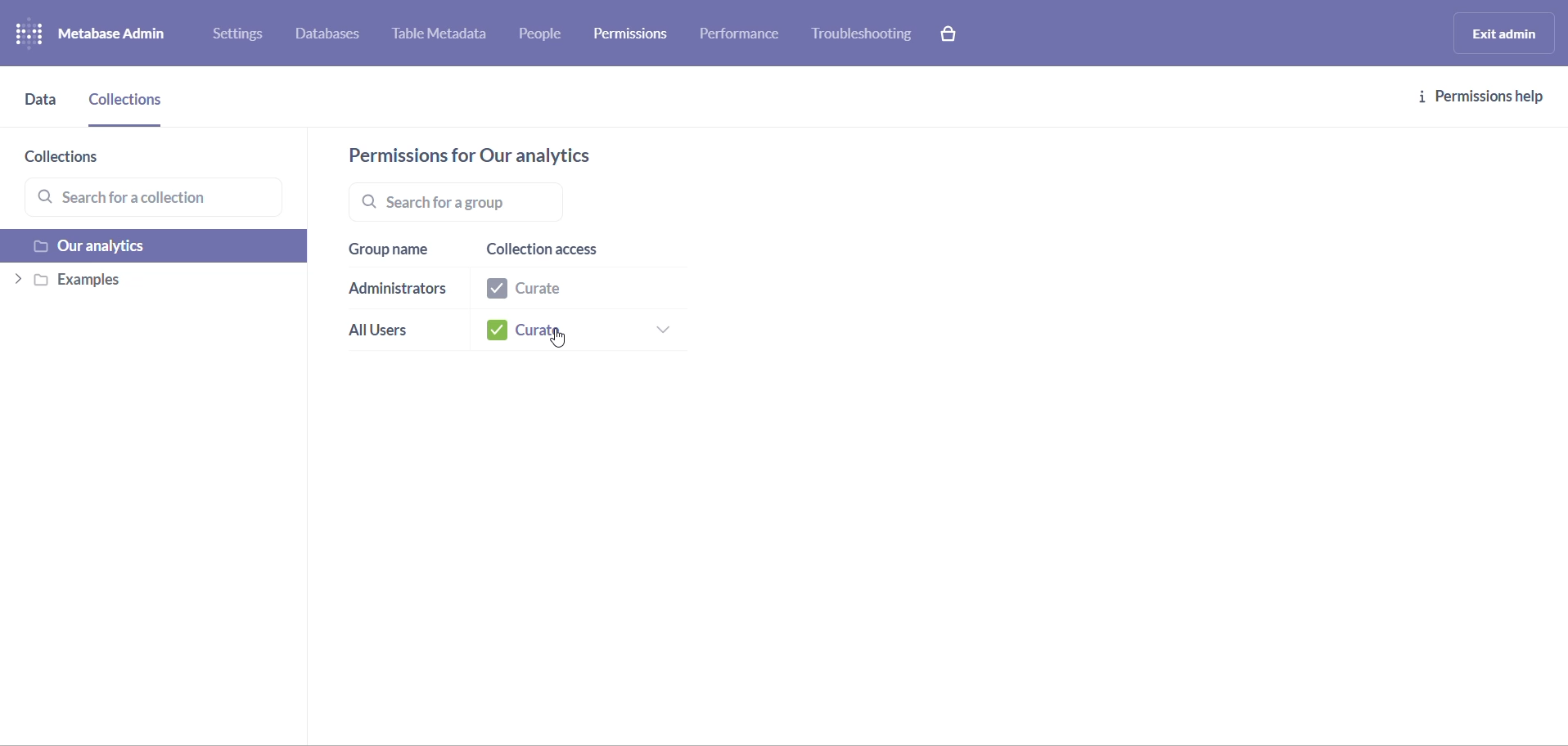 The height and width of the screenshot is (746, 1568). Describe the element at coordinates (581, 332) in the screenshot. I see `access level` at that location.